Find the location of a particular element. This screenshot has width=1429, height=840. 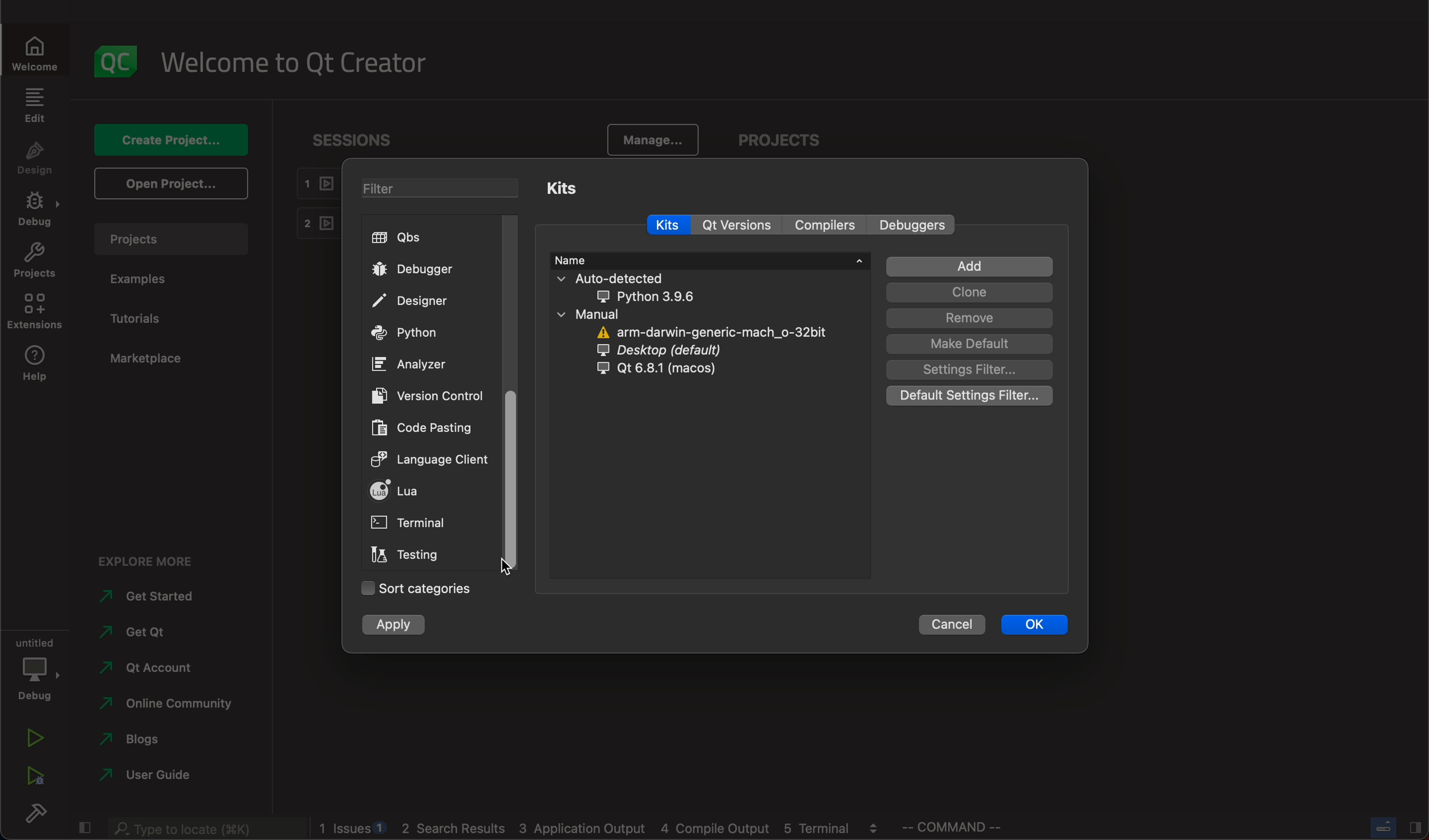

logo is located at coordinates (119, 61).